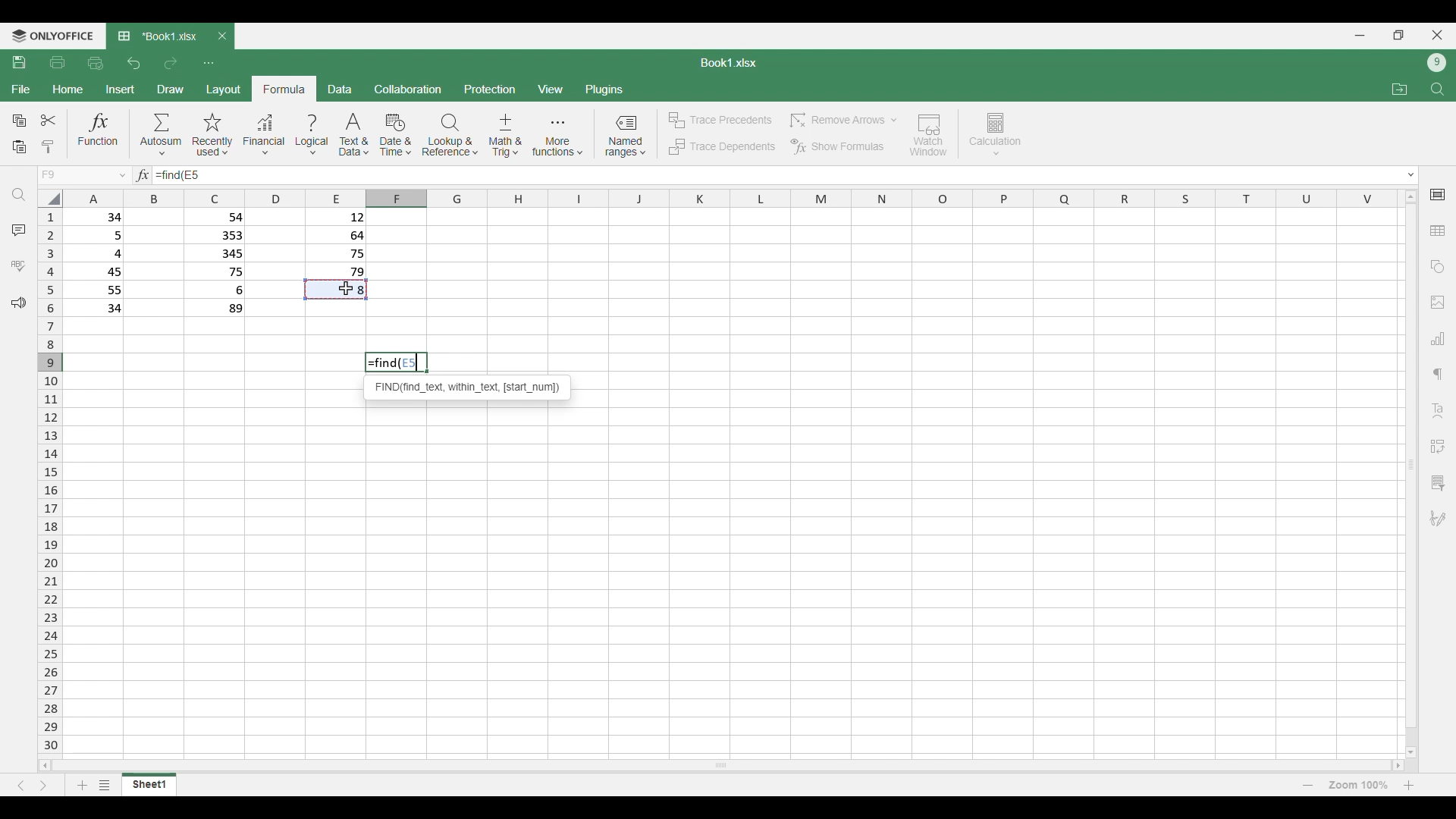 This screenshot has height=819, width=1456. Describe the element at coordinates (19, 231) in the screenshot. I see `Comments` at that location.